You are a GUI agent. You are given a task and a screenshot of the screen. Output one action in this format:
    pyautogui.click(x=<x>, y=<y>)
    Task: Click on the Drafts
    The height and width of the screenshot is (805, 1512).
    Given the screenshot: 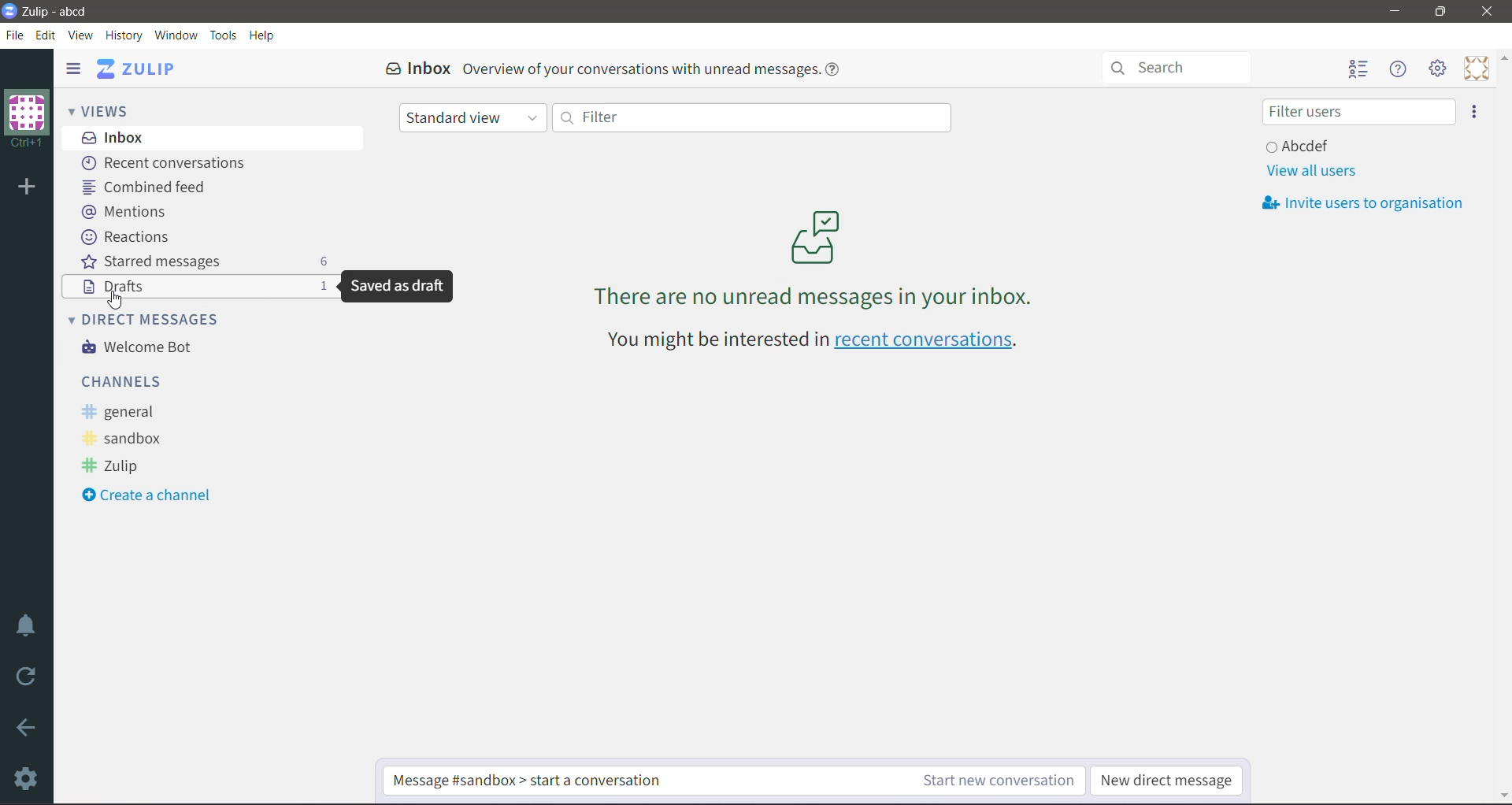 What is the action you would take?
    pyautogui.click(x=117, y=287)
    